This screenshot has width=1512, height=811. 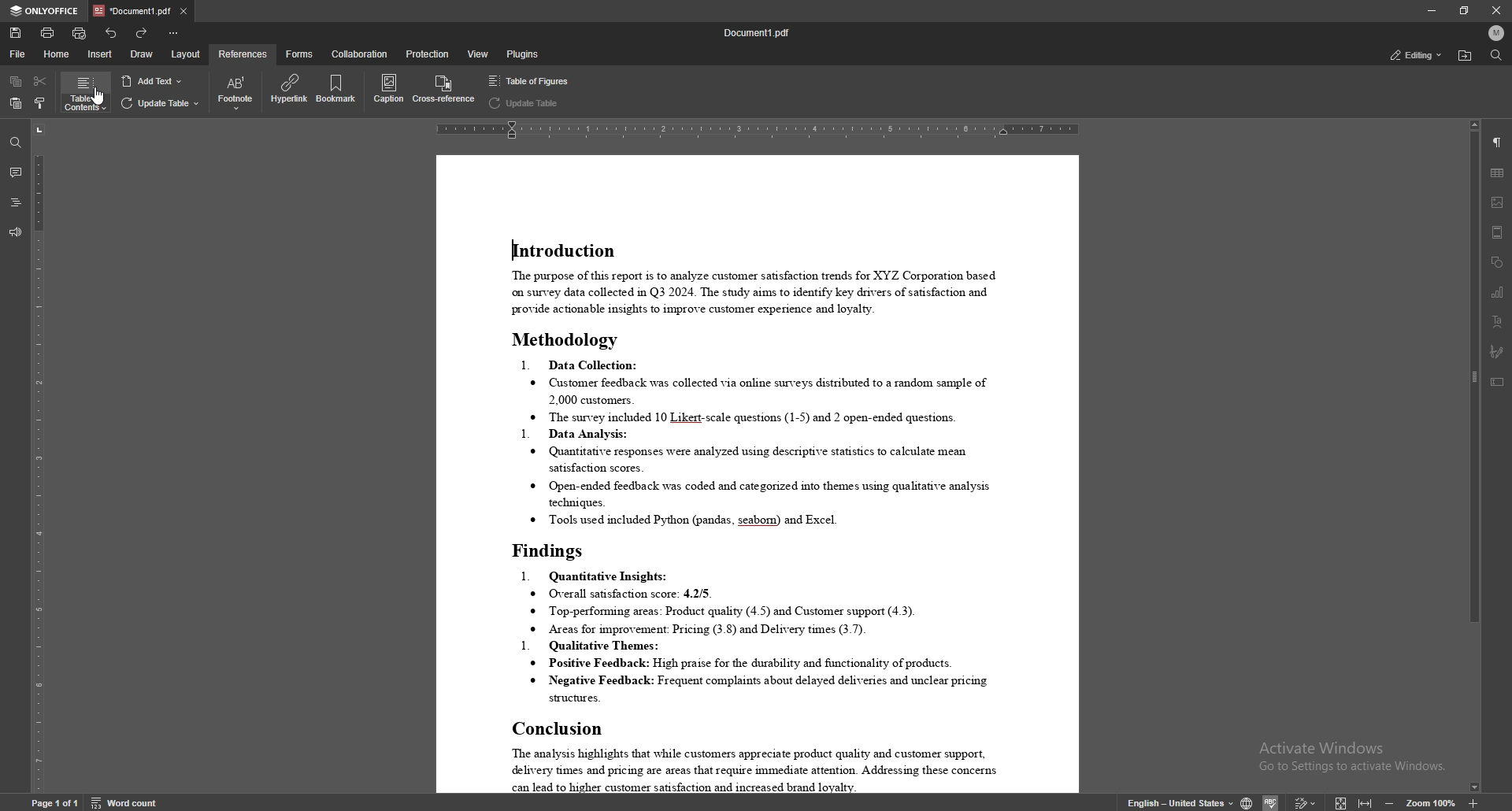 I want to click on image, so click(x=1498, y=202).